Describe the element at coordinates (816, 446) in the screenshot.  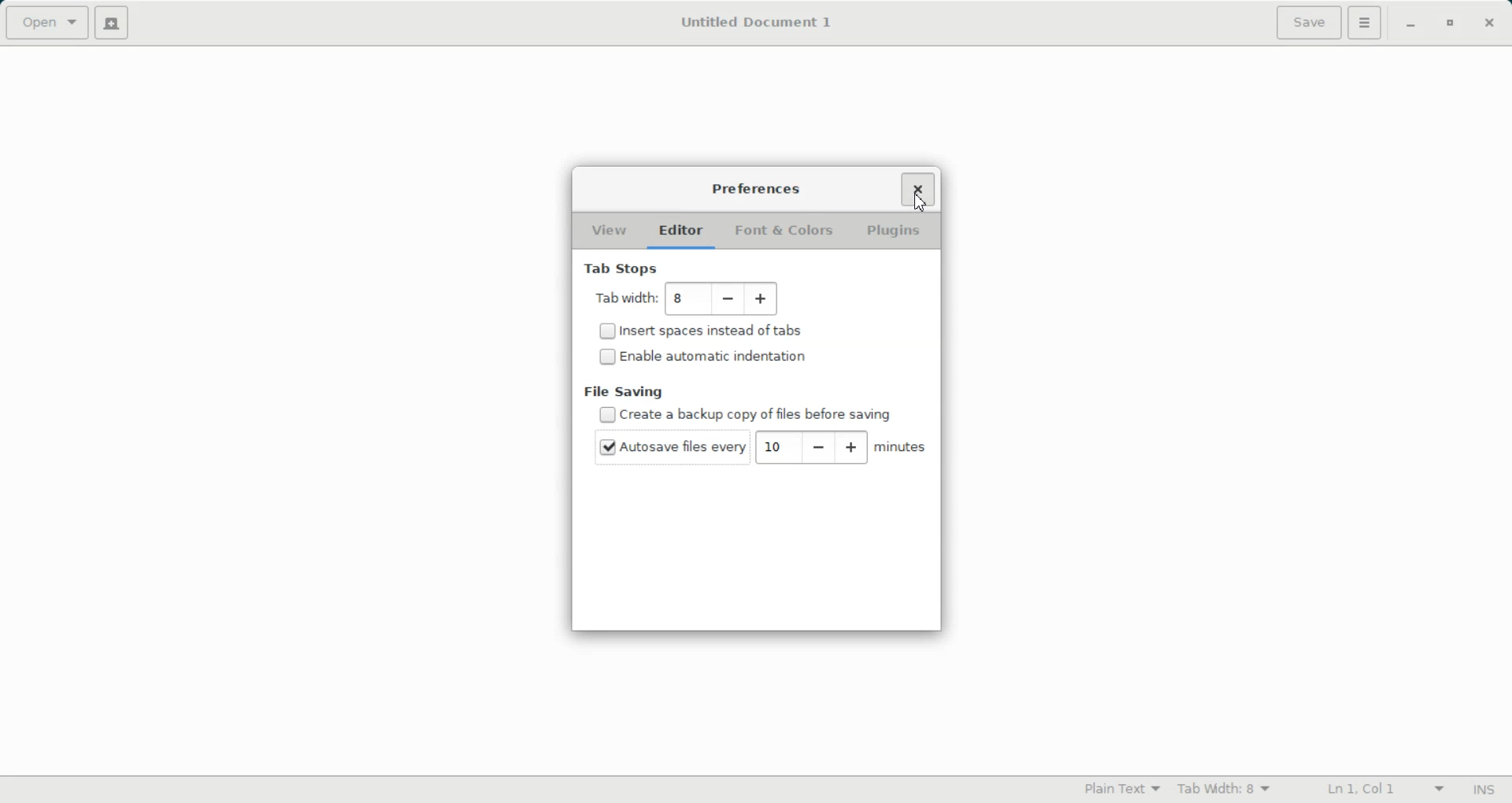
I see `Decrease` at that location.